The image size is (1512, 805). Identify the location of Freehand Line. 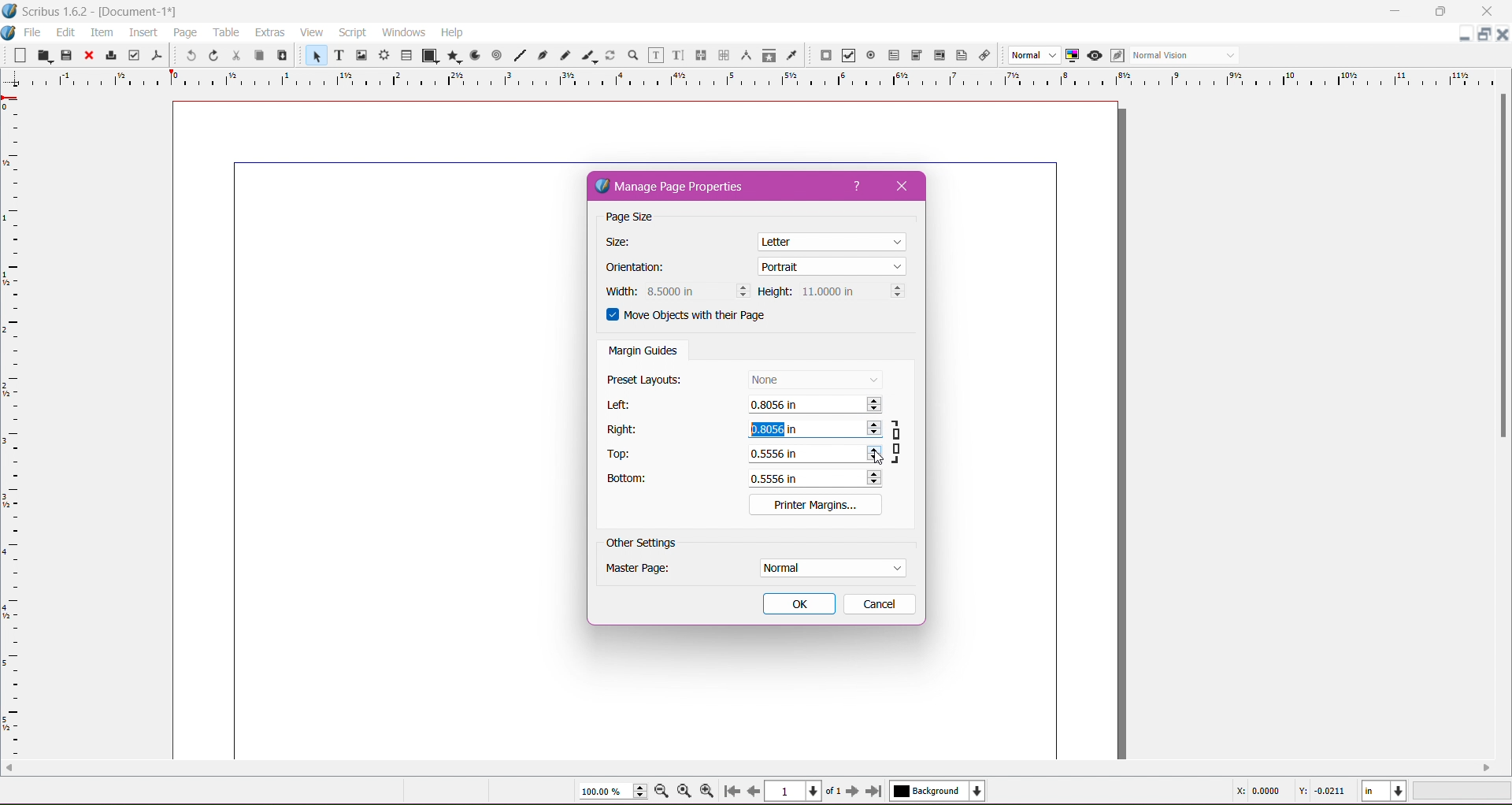
(565, 55).